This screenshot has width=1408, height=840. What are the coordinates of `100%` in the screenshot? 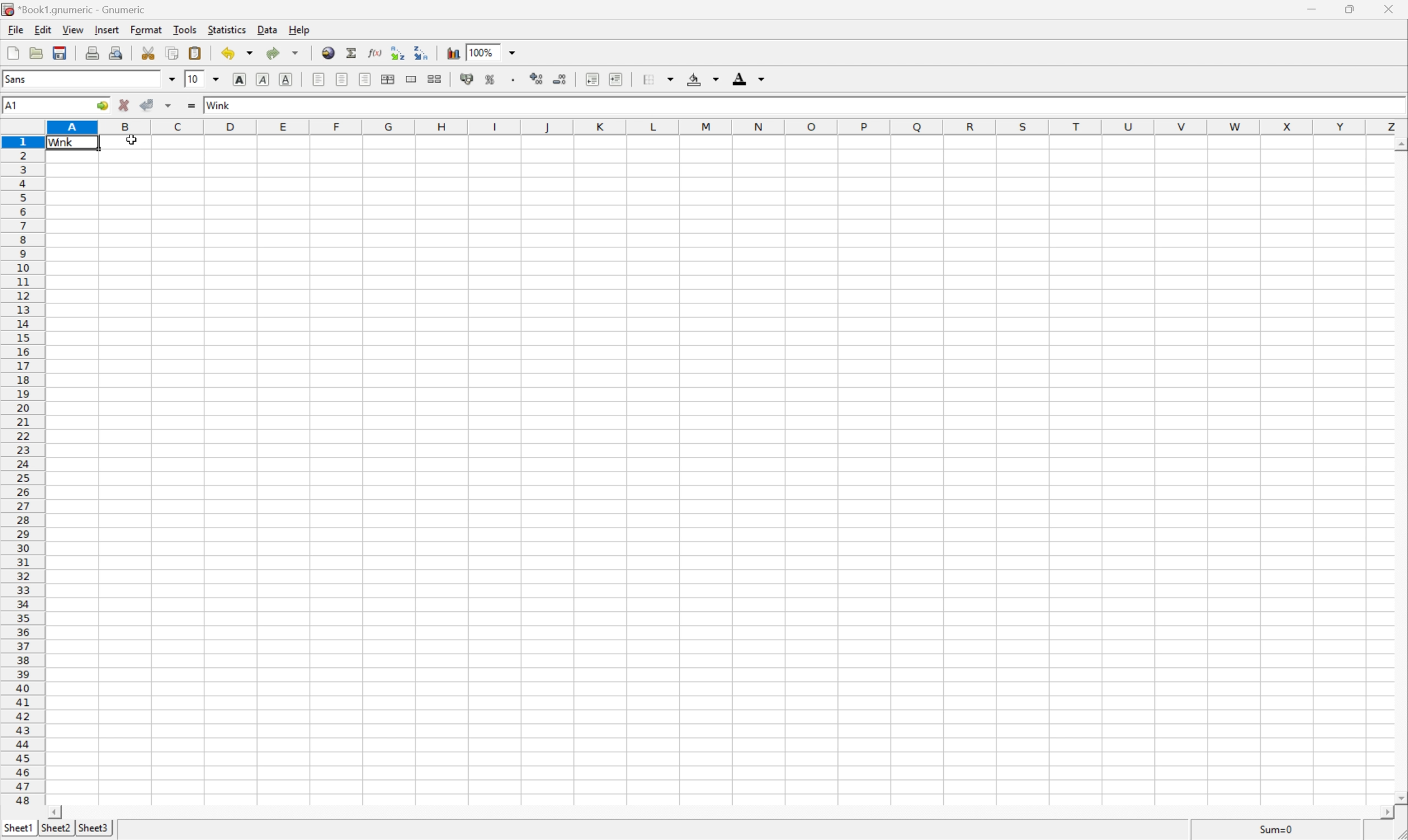 It's located at (483, 52).